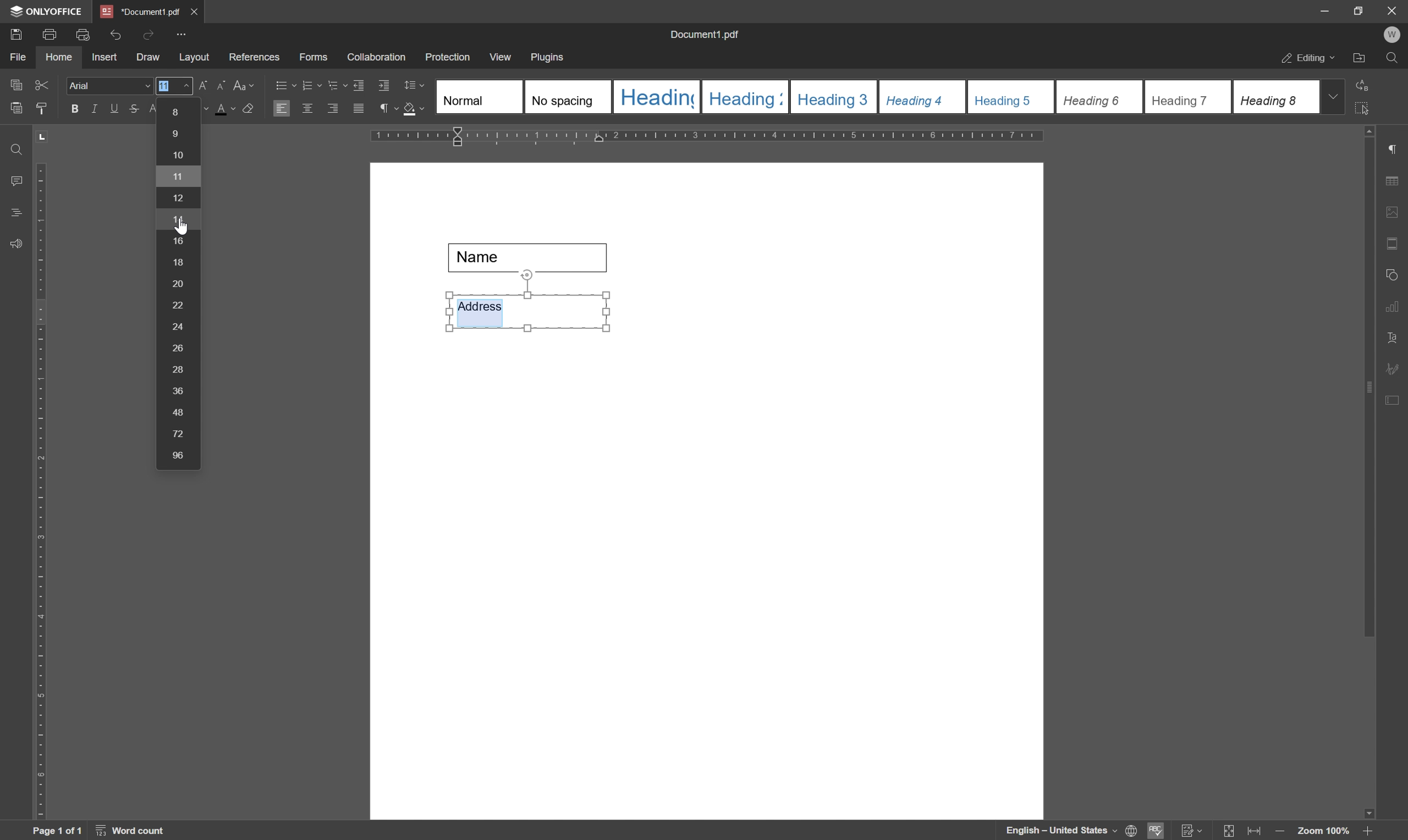 The image size is (1408, 840). Describe the element at coordinates (1370, 380) in the screenshot. I see `scroll bar` at that location.